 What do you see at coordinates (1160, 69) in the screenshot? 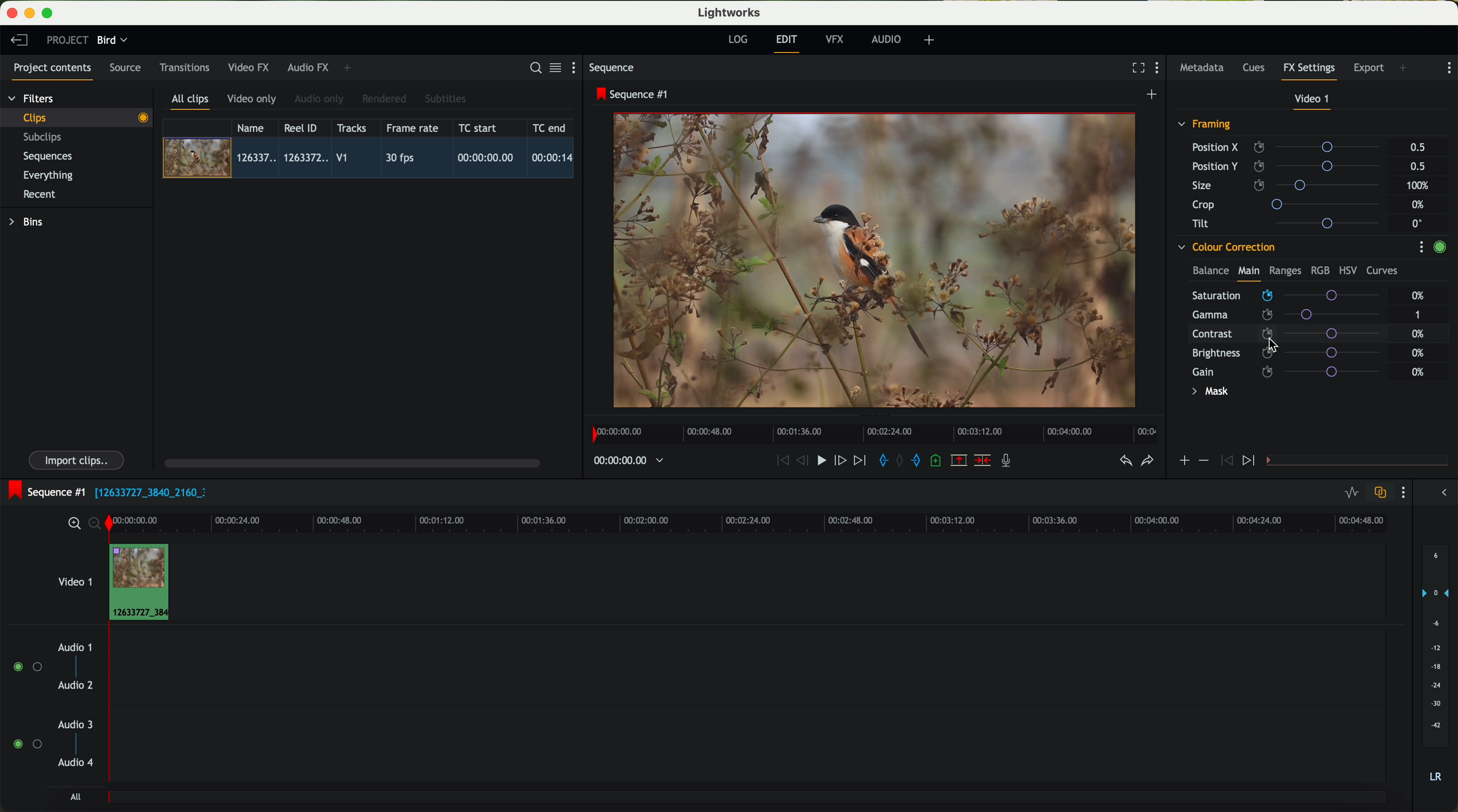
I see `show settings menu` at bounding box center [1160, 69].